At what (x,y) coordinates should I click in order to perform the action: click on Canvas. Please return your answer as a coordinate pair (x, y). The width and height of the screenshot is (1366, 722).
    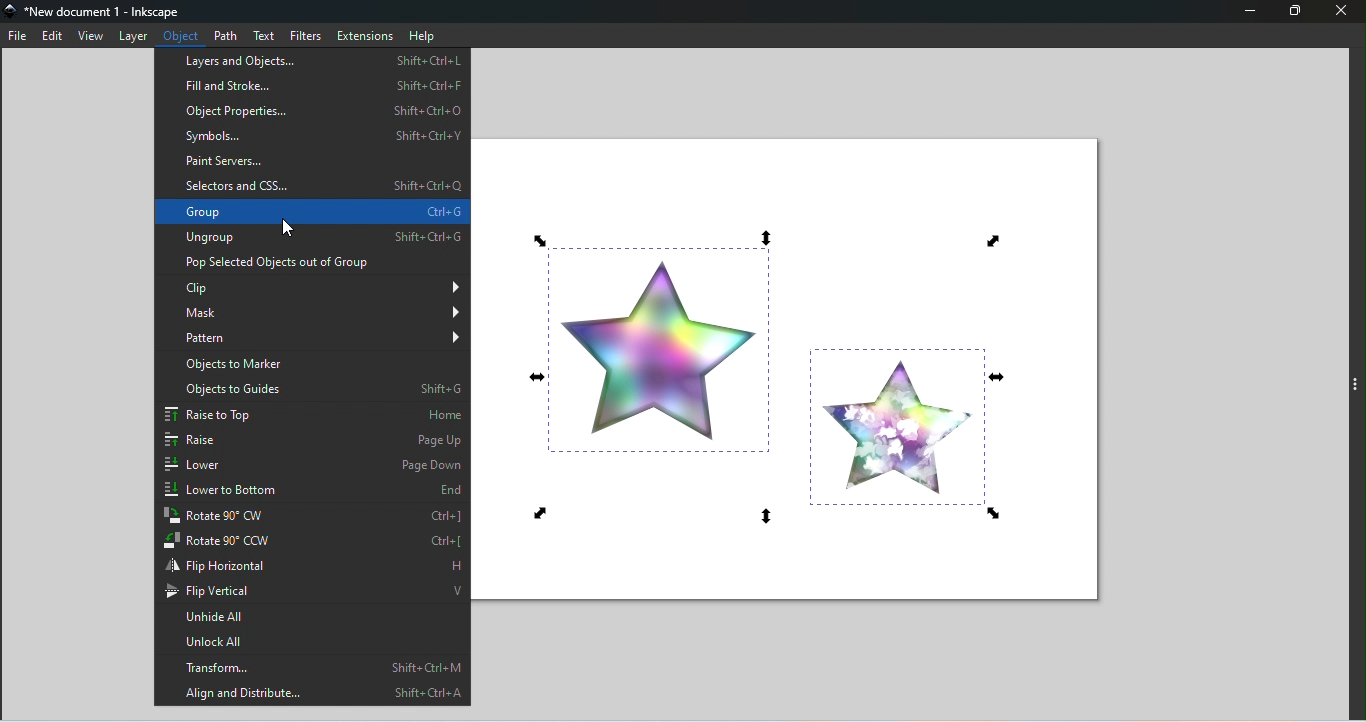
    Looking at the image, I should click on (793, 365).